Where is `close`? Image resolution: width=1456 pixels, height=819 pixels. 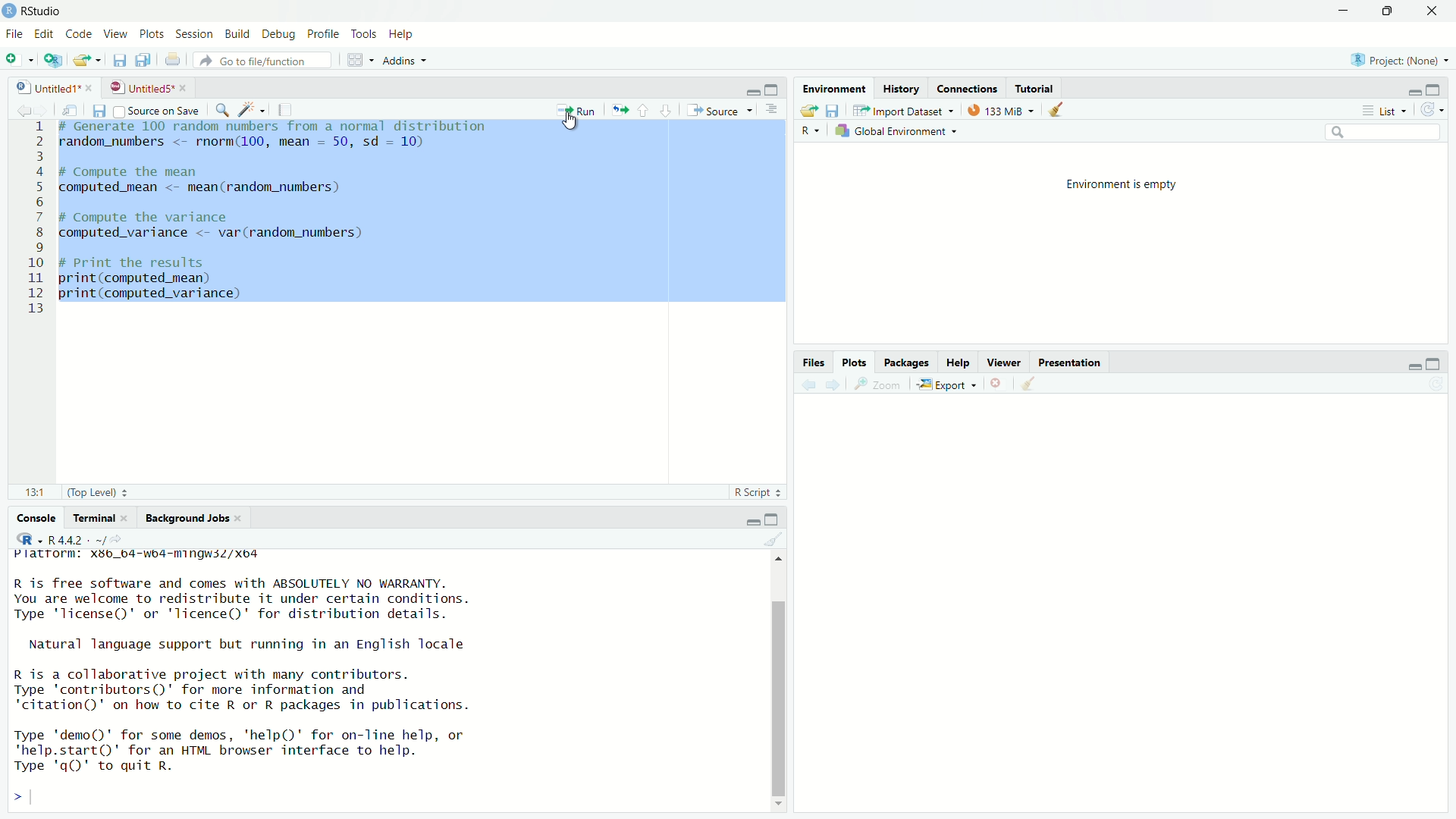
close is located at coordinates (127, 518).